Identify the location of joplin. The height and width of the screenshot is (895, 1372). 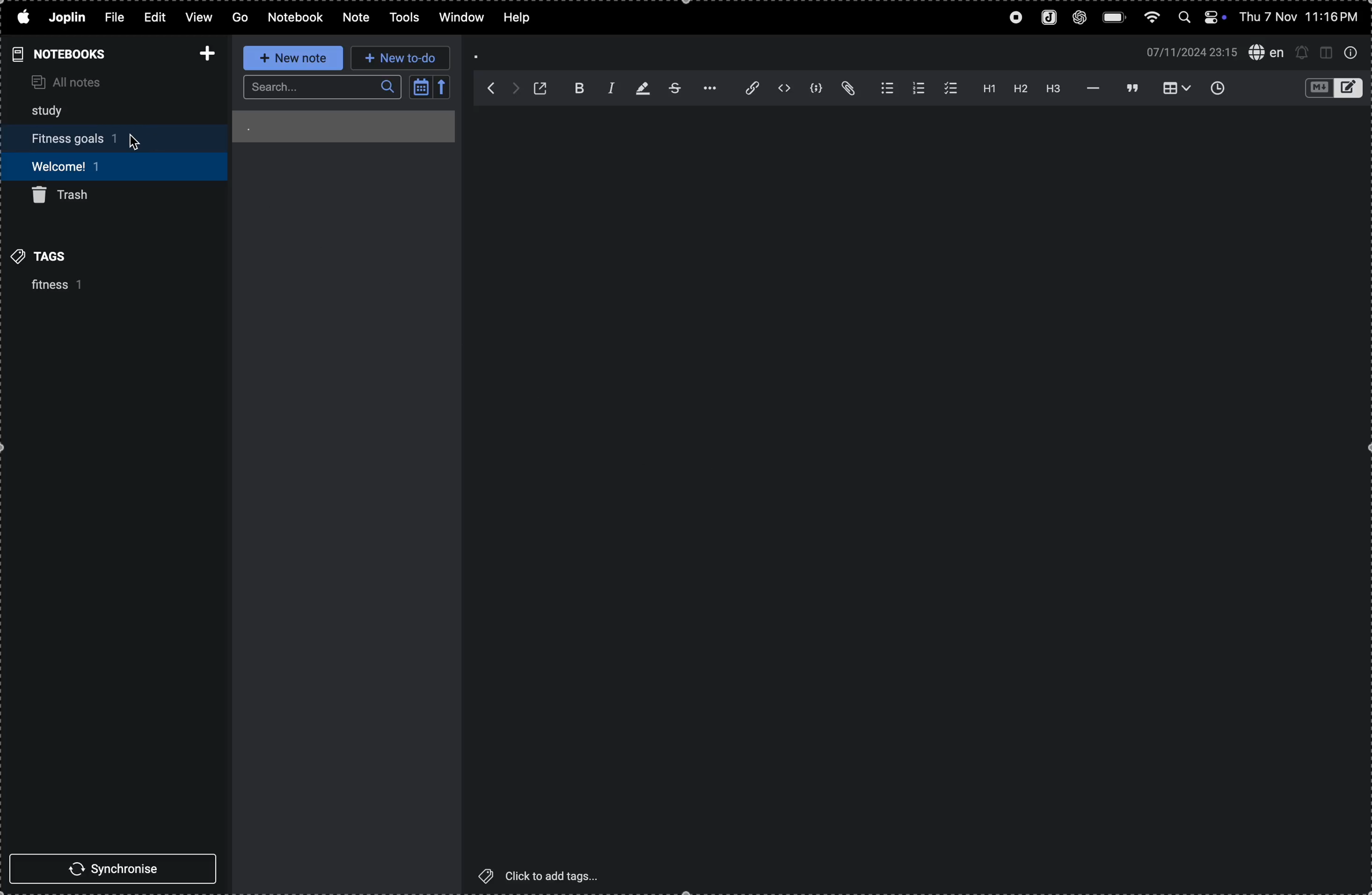
(67, 18).